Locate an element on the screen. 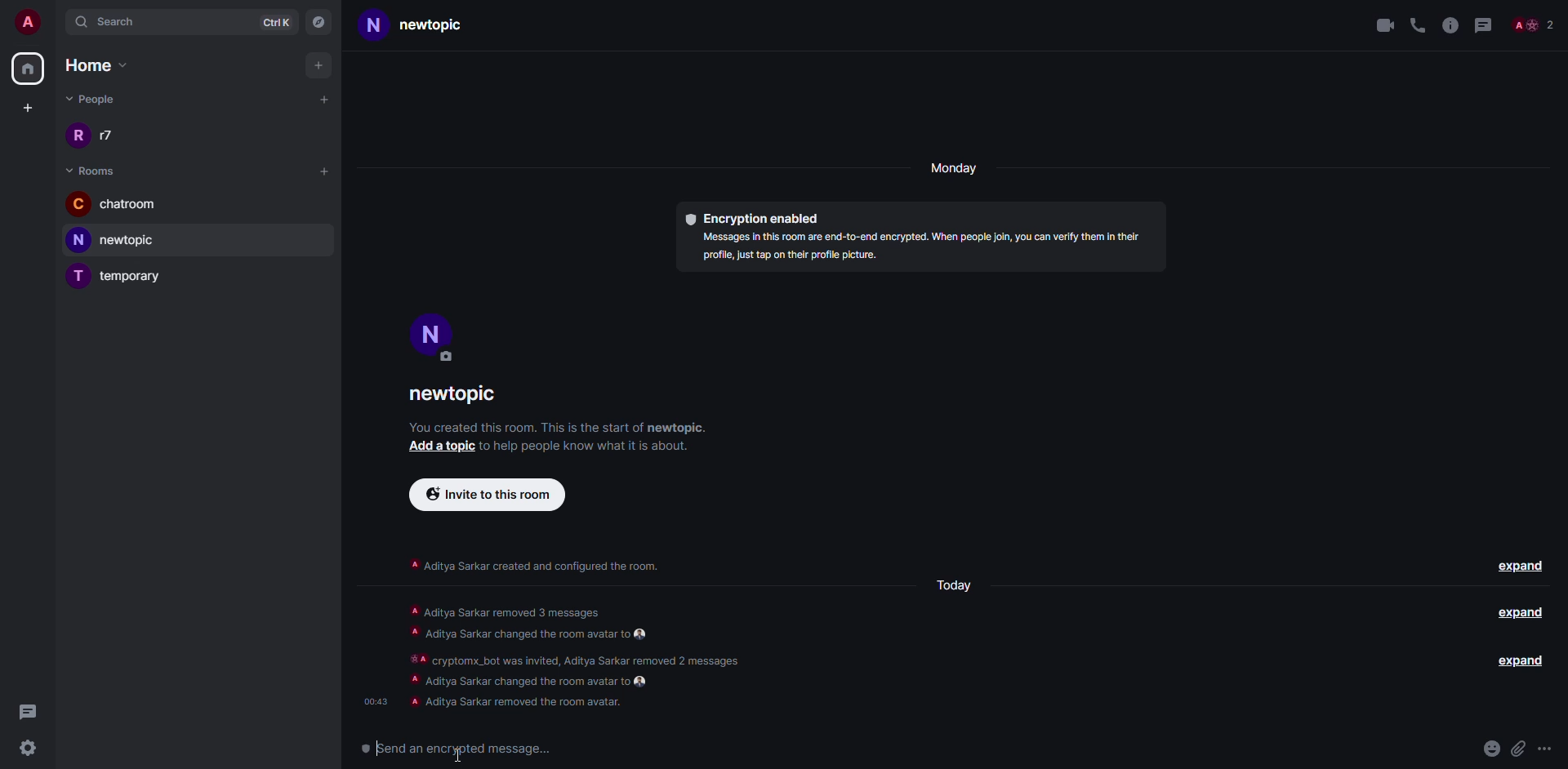 The width and height of the screenshot is (1568, 769). threads is located at coordinates (28, 711).